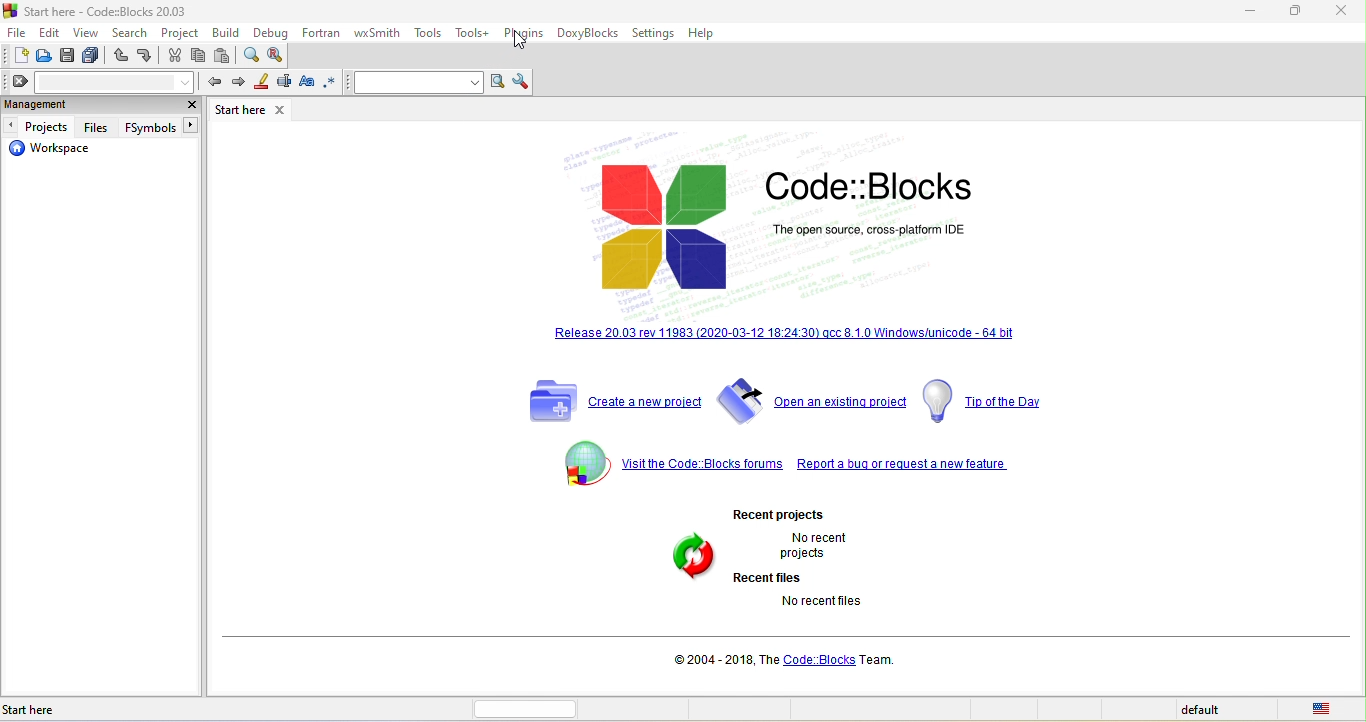 The image size is (1366, 722). I want to click on clear, so click(100, 81).